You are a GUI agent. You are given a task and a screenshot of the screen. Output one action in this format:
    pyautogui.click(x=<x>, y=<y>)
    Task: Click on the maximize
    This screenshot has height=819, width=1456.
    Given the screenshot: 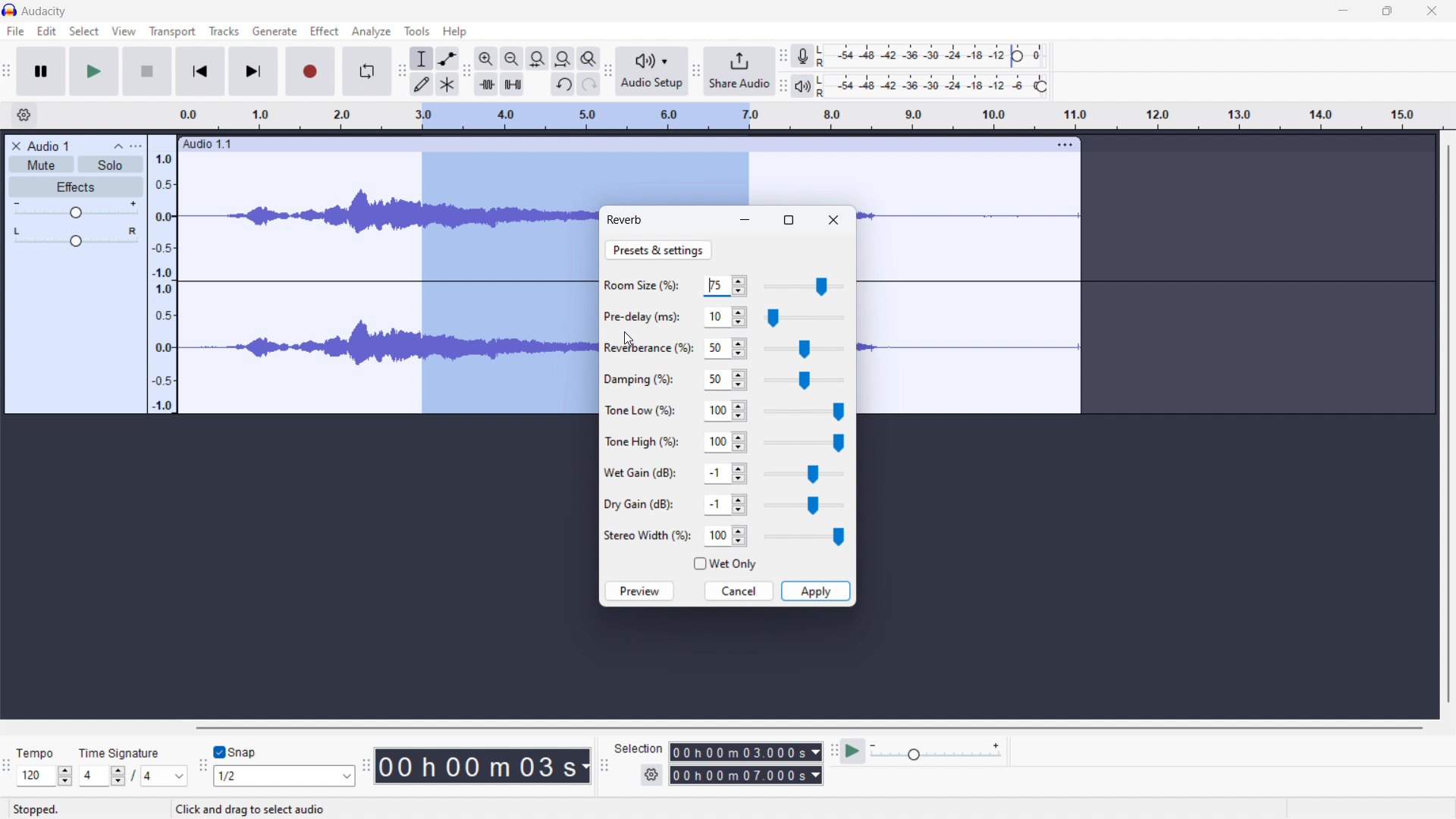 What is the action you would take?
    pyautogui.click(x=1387, y=11)
    